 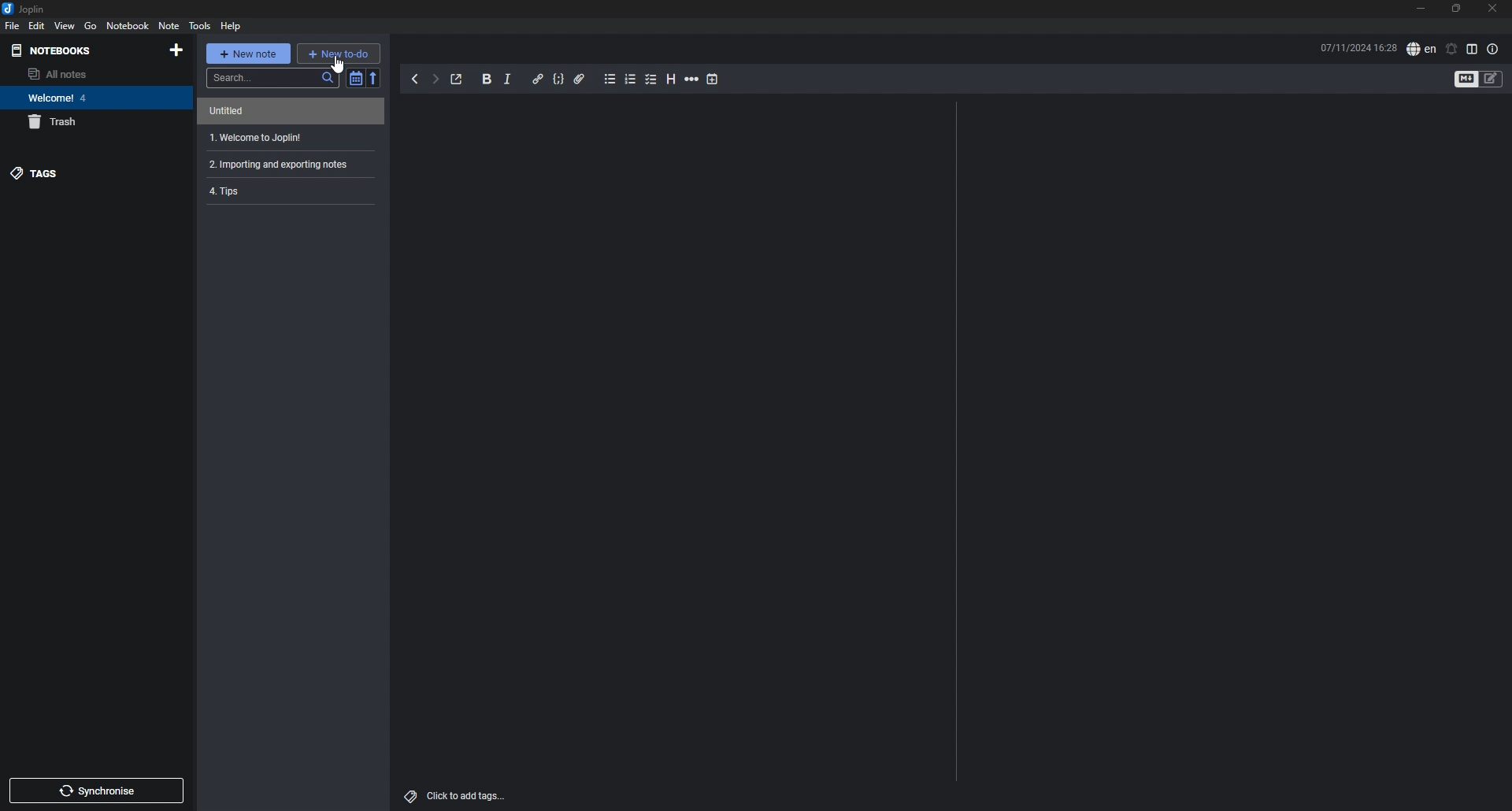 I want to click on back, so click(x=415, y=79).